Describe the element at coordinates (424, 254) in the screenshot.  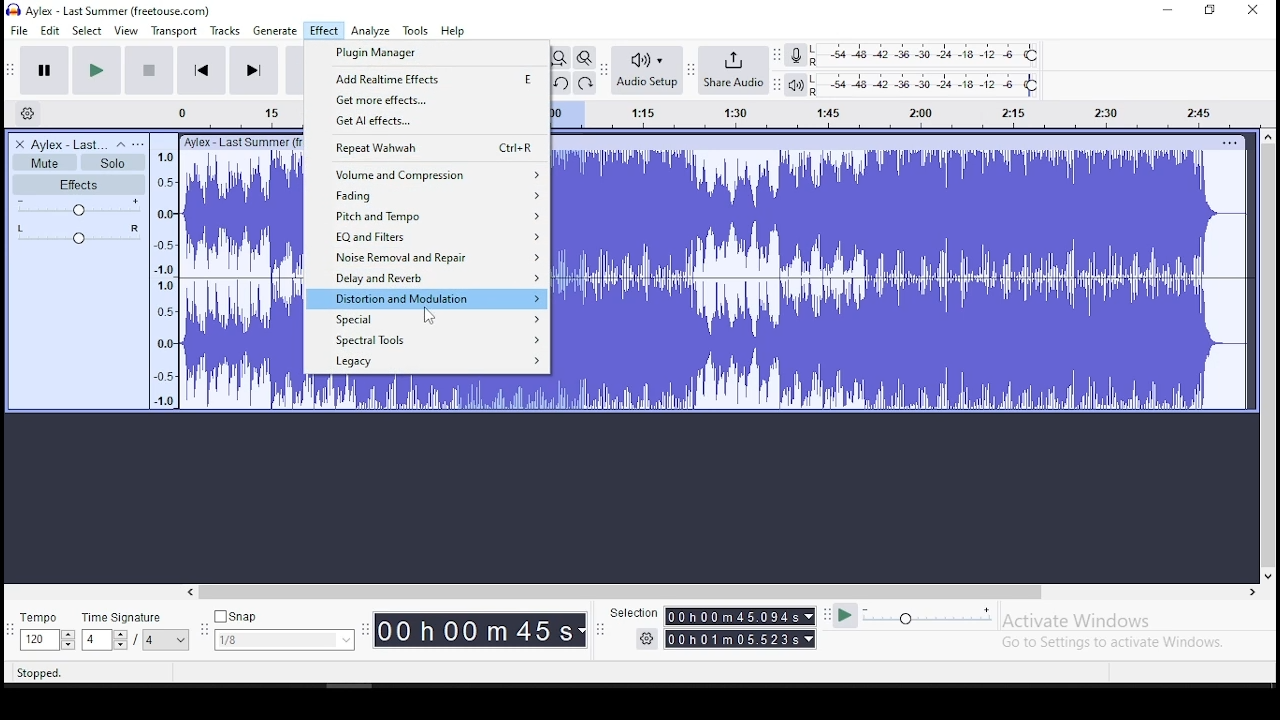
I see `noise removal` at that location.